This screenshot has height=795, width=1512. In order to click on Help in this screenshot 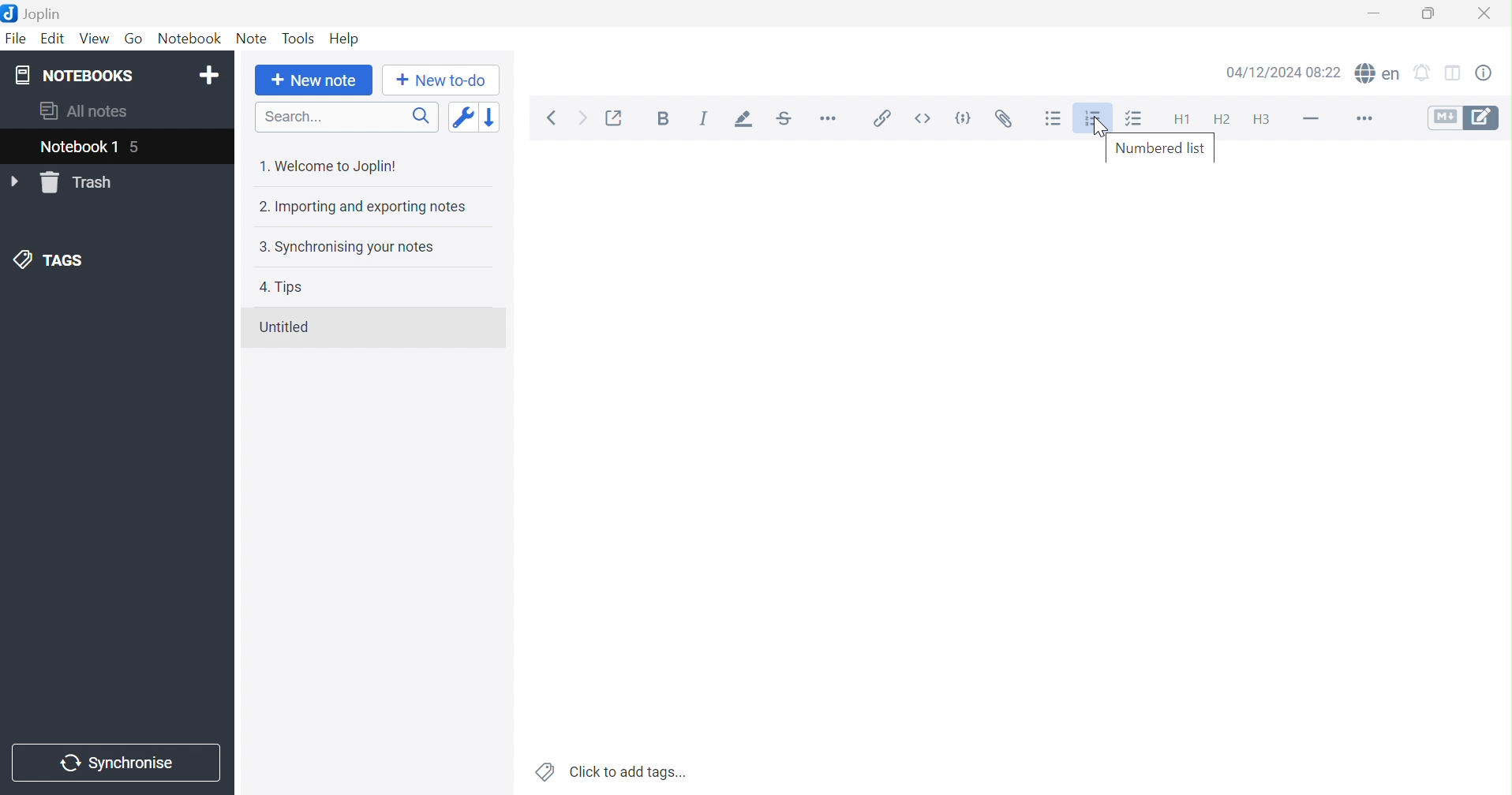, I will do `click(342, 37)`.